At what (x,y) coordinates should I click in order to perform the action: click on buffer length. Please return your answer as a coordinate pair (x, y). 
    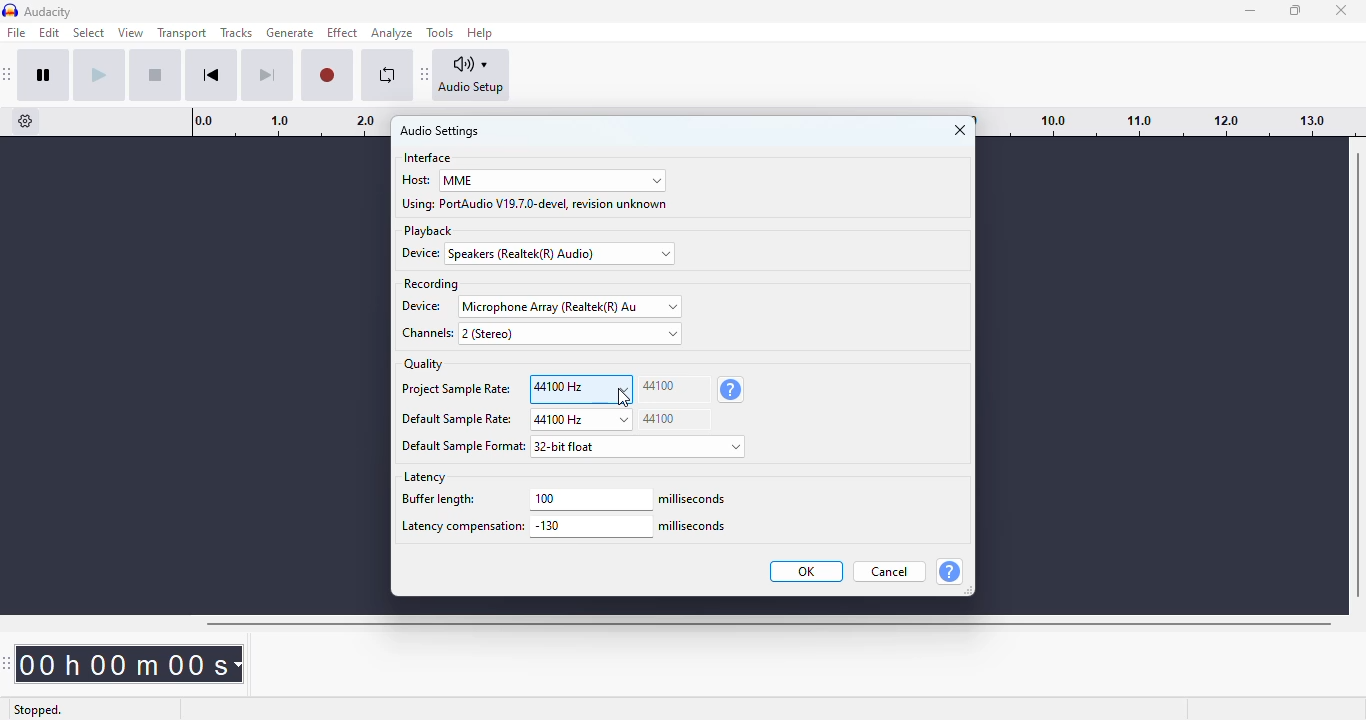
    Looking at the image, I should click on (459, 501).